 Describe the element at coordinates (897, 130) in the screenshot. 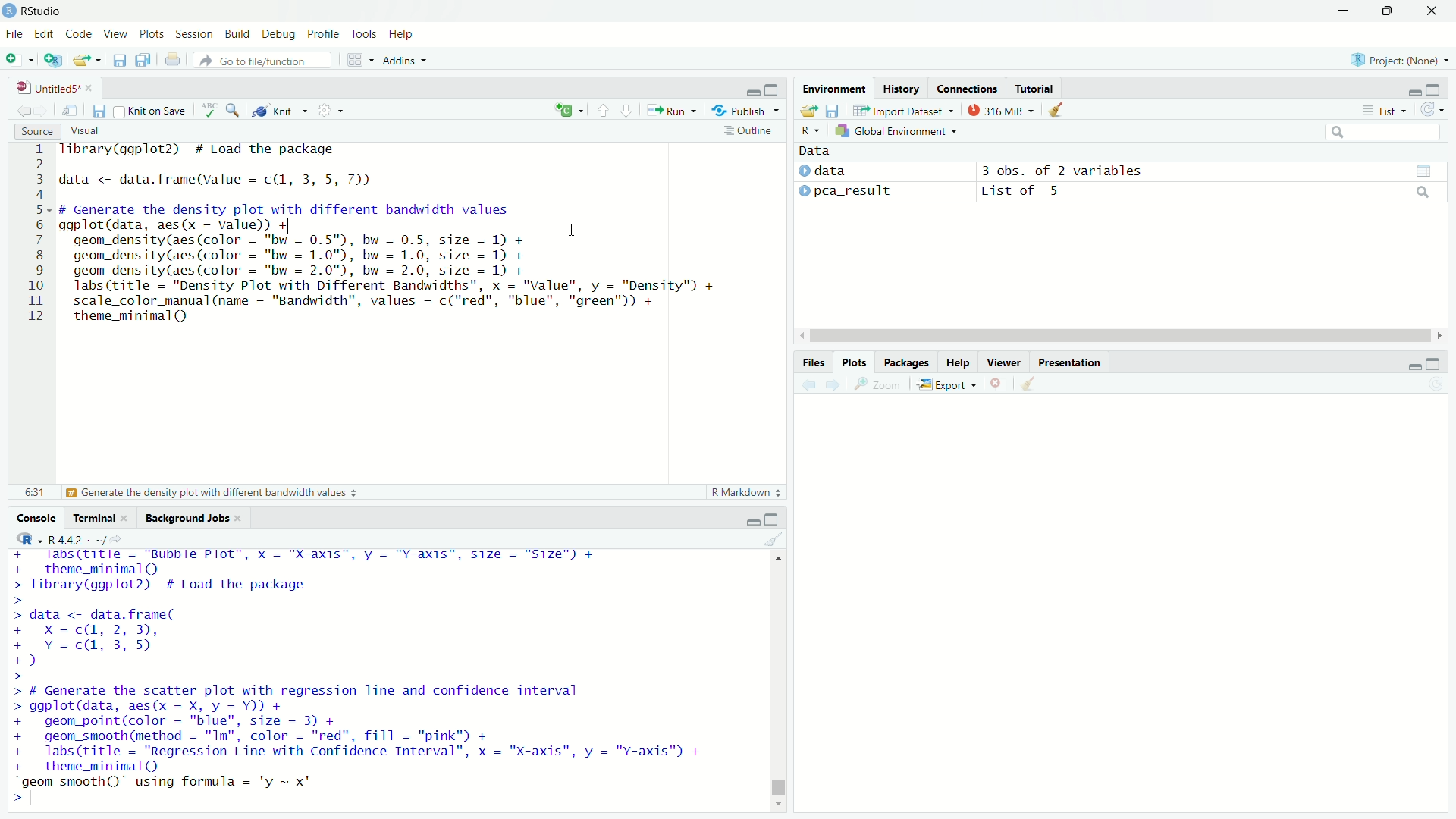

I see `Global Environment` at that location.